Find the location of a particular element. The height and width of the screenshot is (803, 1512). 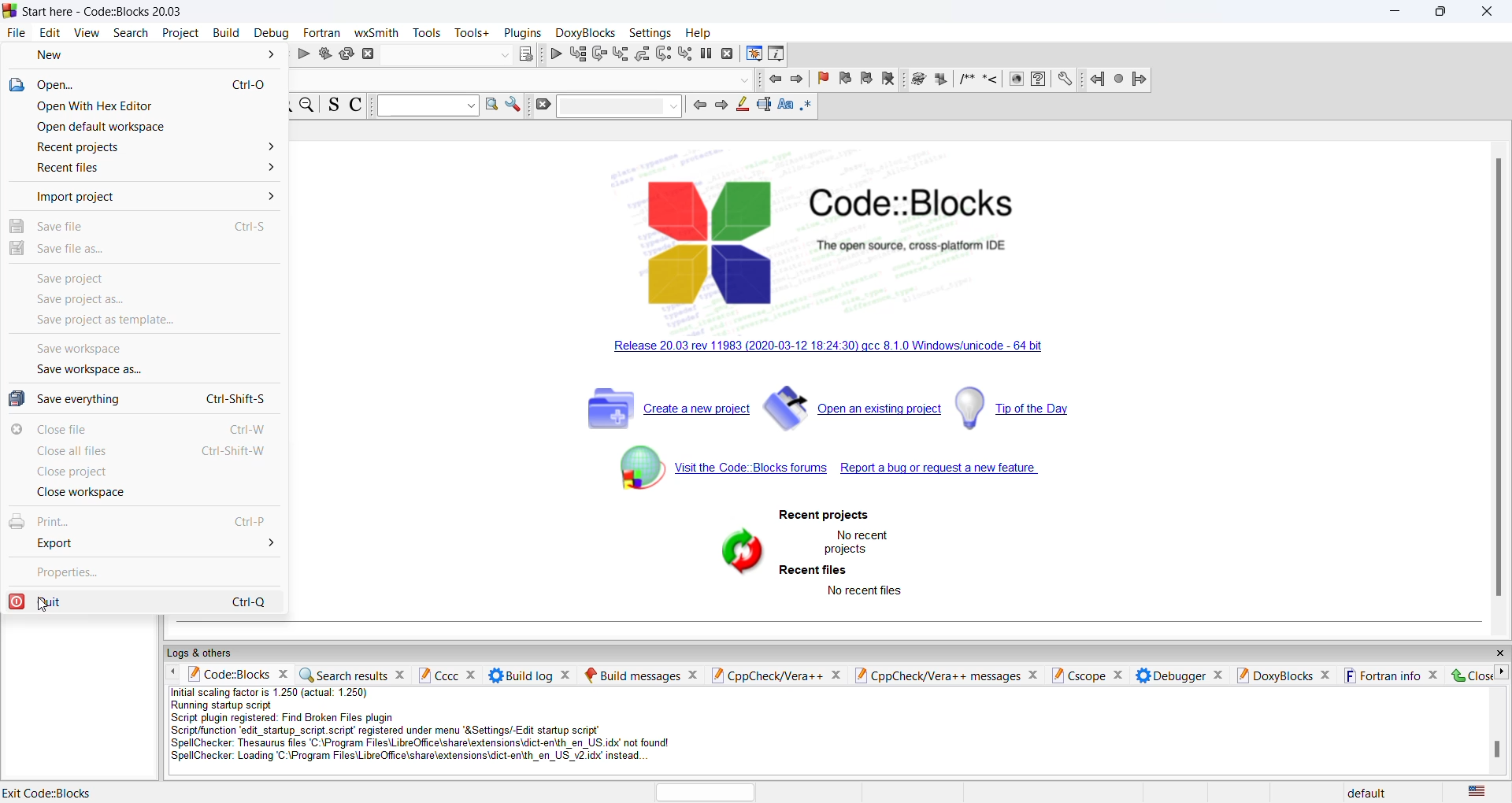

close is located at coordinates (691, 674).